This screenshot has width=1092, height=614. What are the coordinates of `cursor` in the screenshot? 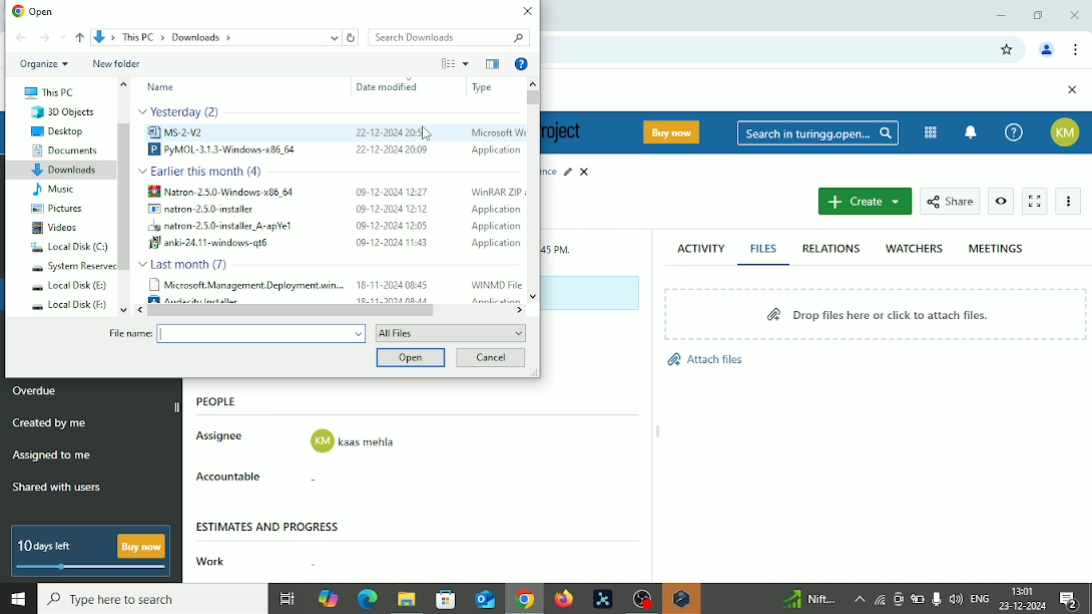 It's located at (427, 132).